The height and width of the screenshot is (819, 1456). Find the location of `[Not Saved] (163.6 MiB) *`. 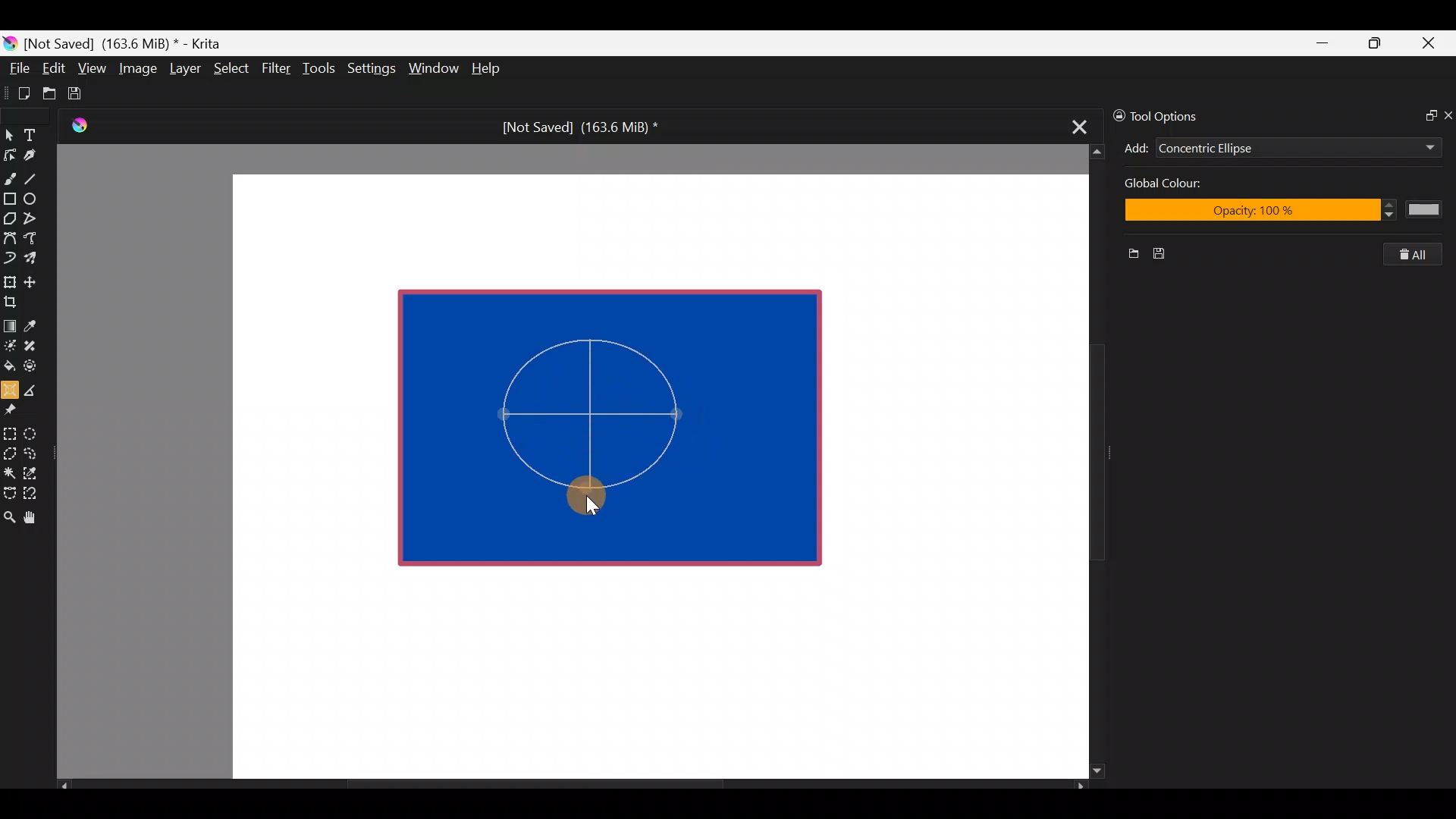

[Not Saved] (163.6 MiB) * is located at coordinates (574, 127).